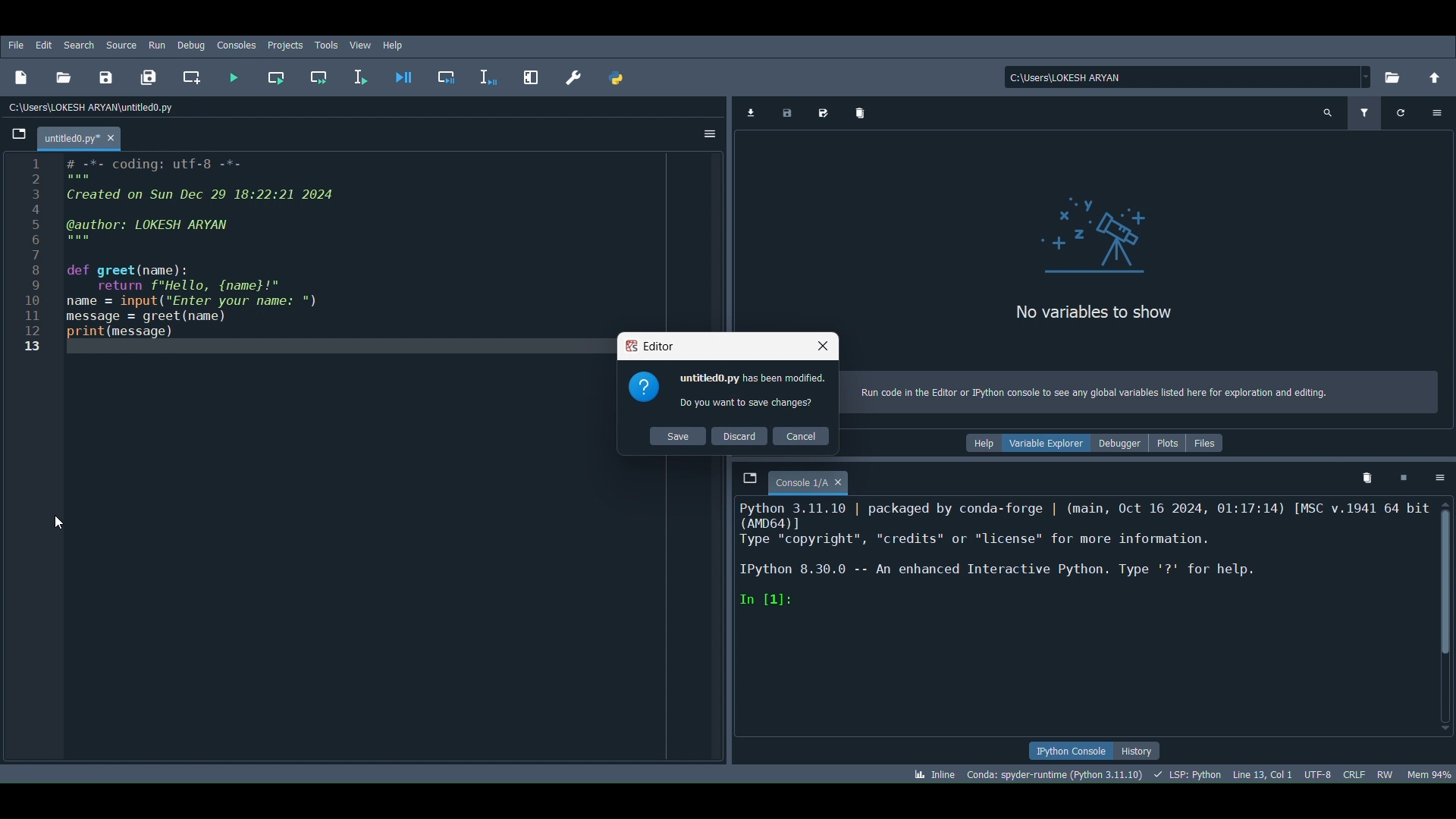 Image resolution: width=1456 pixels, height=819 pixels. I want to click on Create new cell at the current line (Ctrl + 2), so click(192, 76).